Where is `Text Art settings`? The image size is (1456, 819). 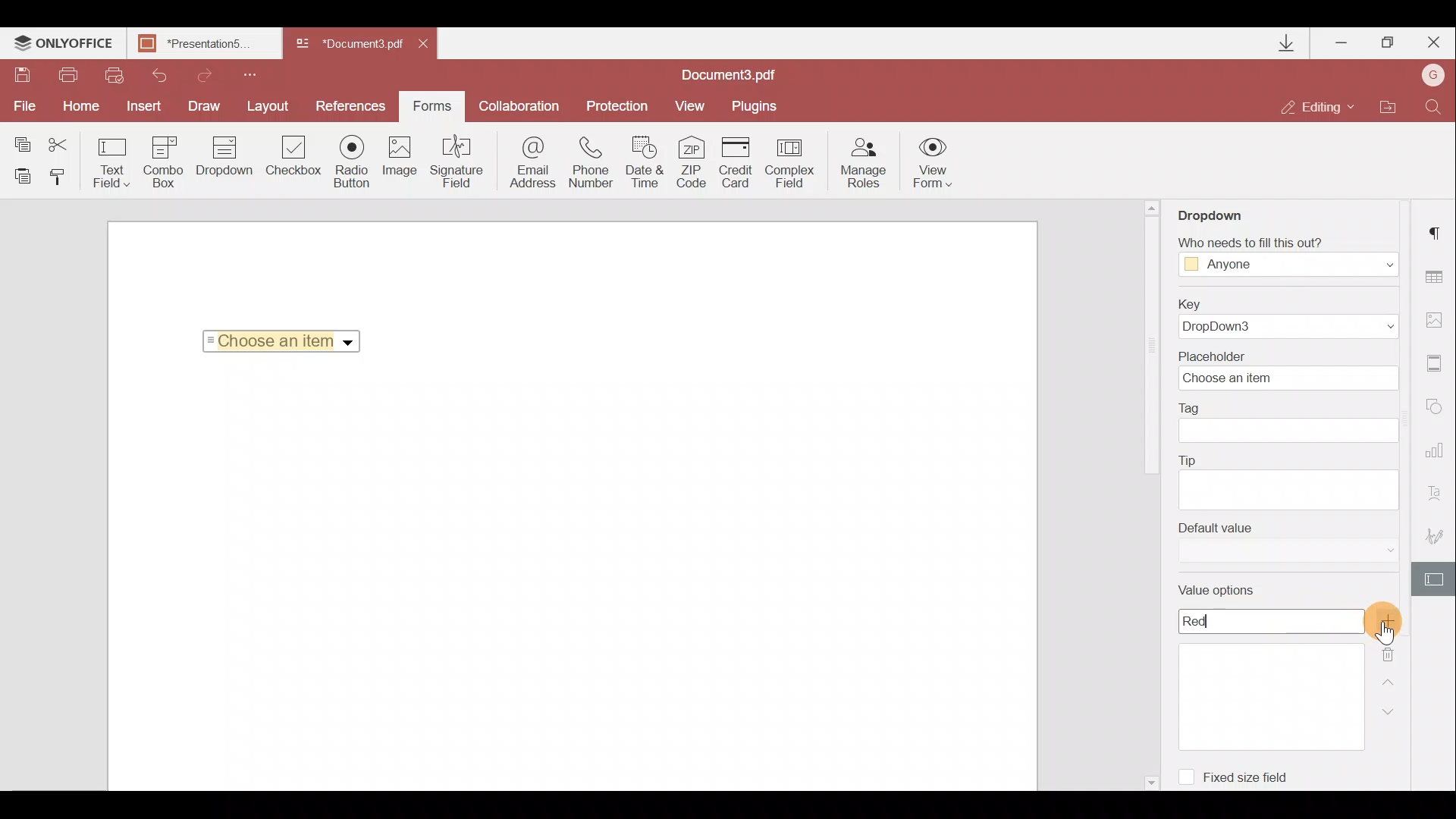
Text Art settings is located at coordinates (1439, 491).